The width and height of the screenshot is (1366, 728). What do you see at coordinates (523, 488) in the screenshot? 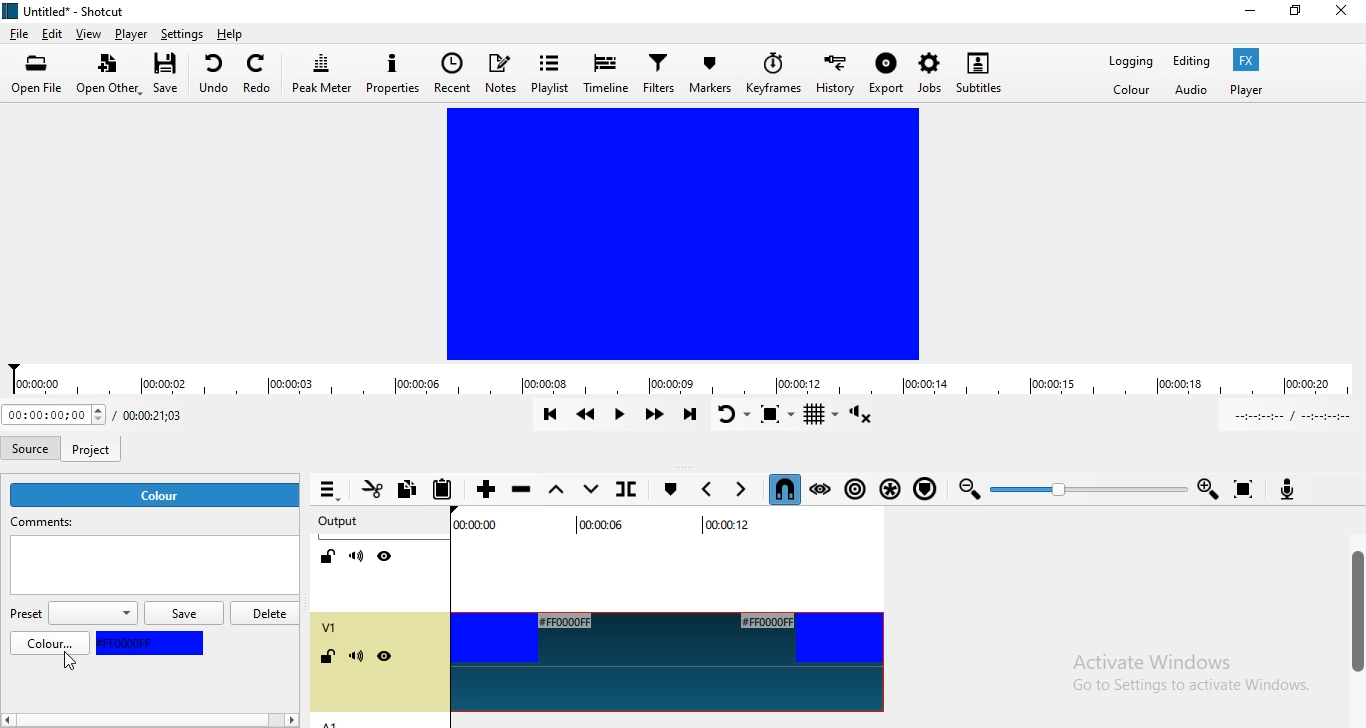
I see `Ripple delete` at bounding box center [523, 488].